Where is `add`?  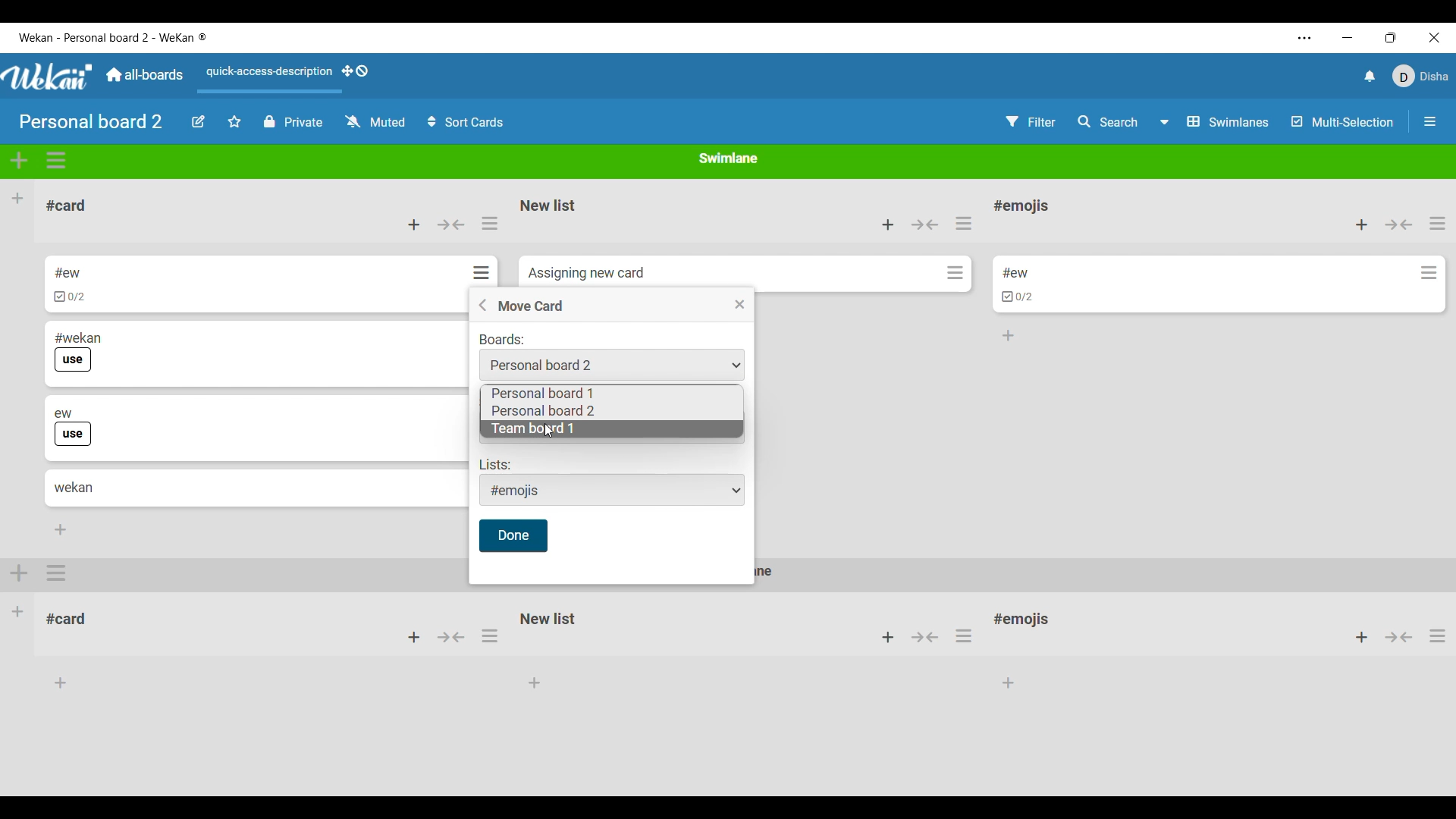 add is located at coordinates (413, 638).